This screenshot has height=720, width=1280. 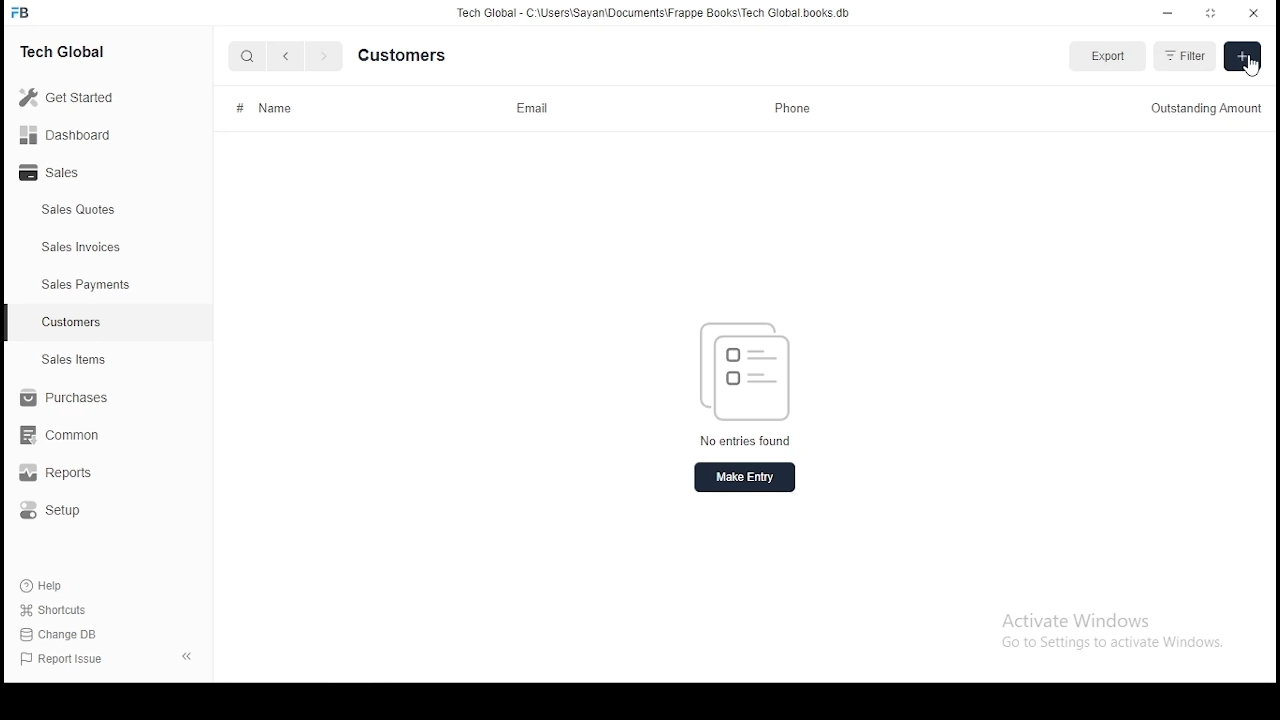 I want to click on Customers, so click(x=411, y=54).